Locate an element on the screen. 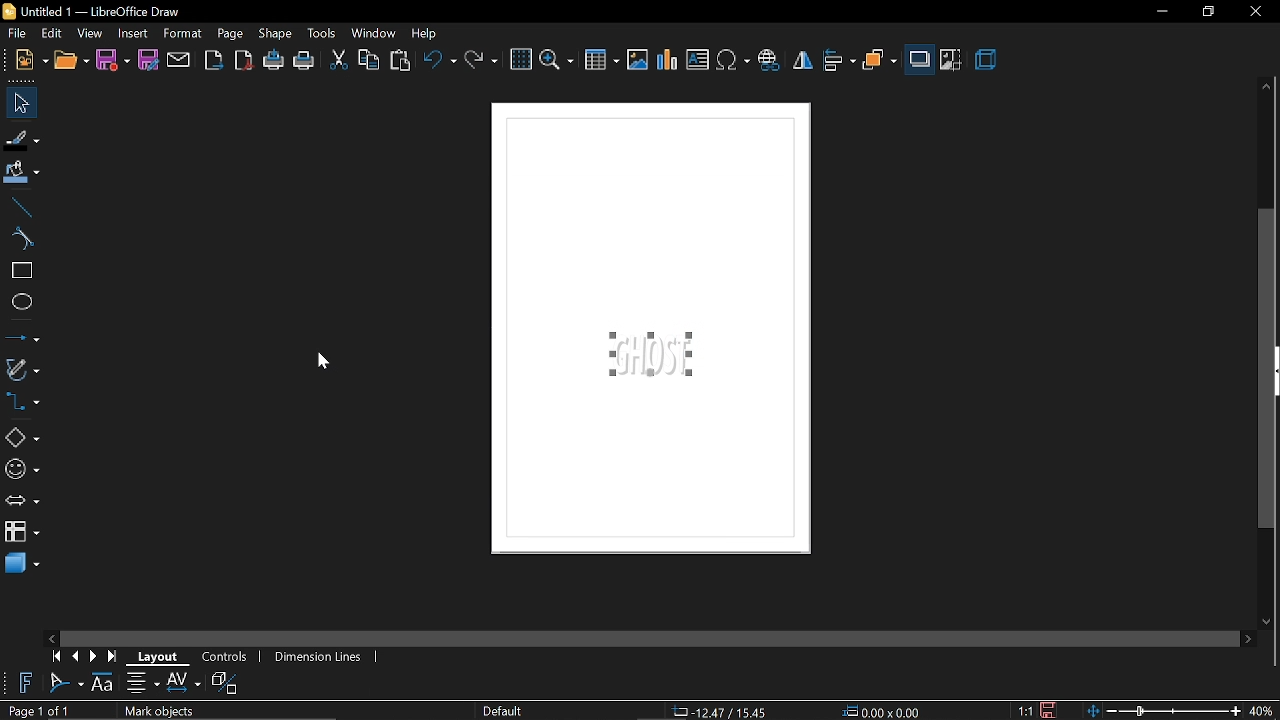 This screenshot has width=1280, height=720. restore down is located at coordinates (1207, 12).